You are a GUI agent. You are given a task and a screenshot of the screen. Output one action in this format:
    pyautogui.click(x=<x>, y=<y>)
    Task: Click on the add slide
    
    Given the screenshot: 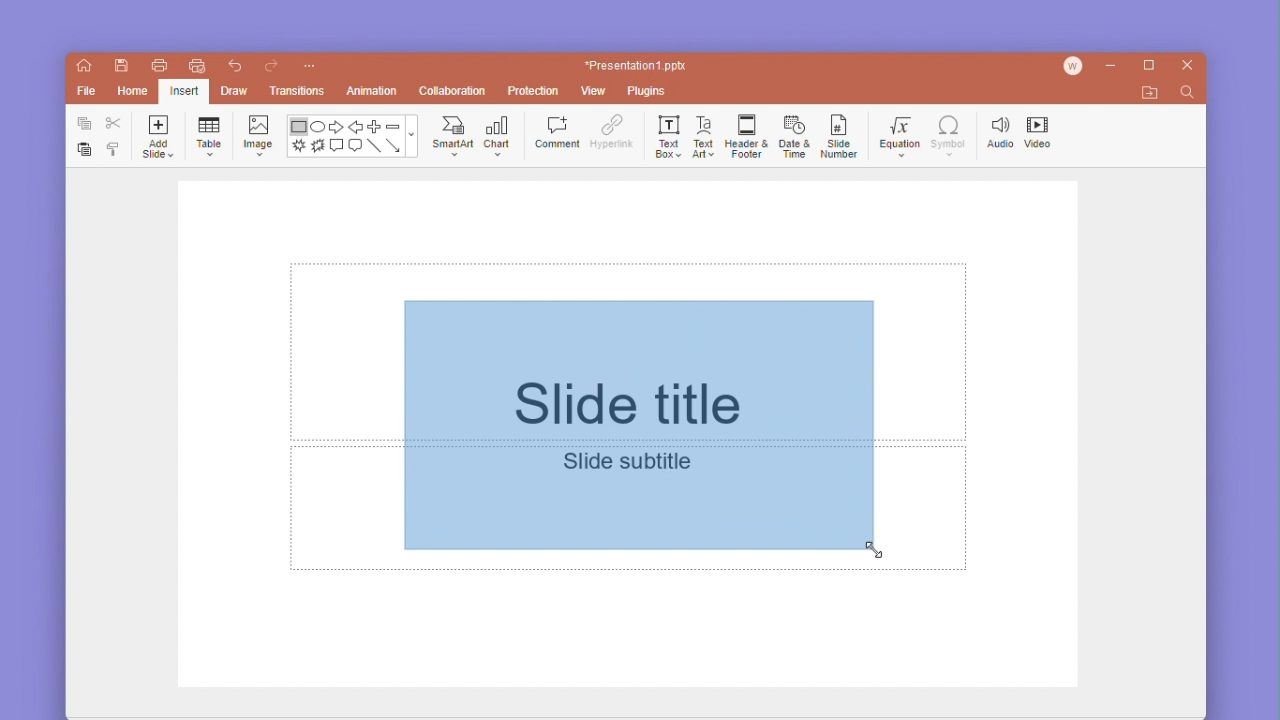 What is the action you would take?
    pyautogui.click(x=157, y=137)
    